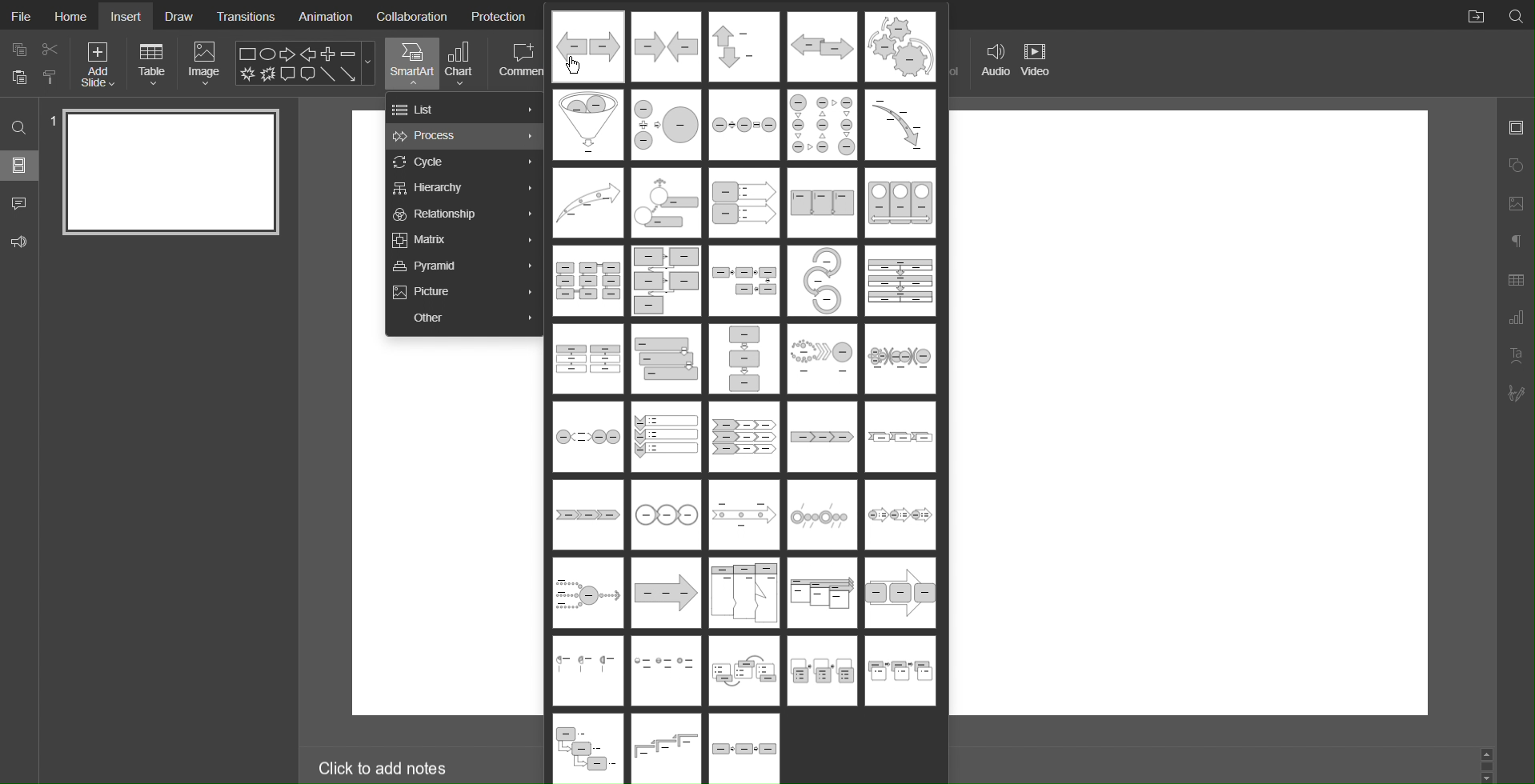  What do you see at coordinates (465, 214) in the screenshot?
I see `Relationship` at bounding box center [465, 214].